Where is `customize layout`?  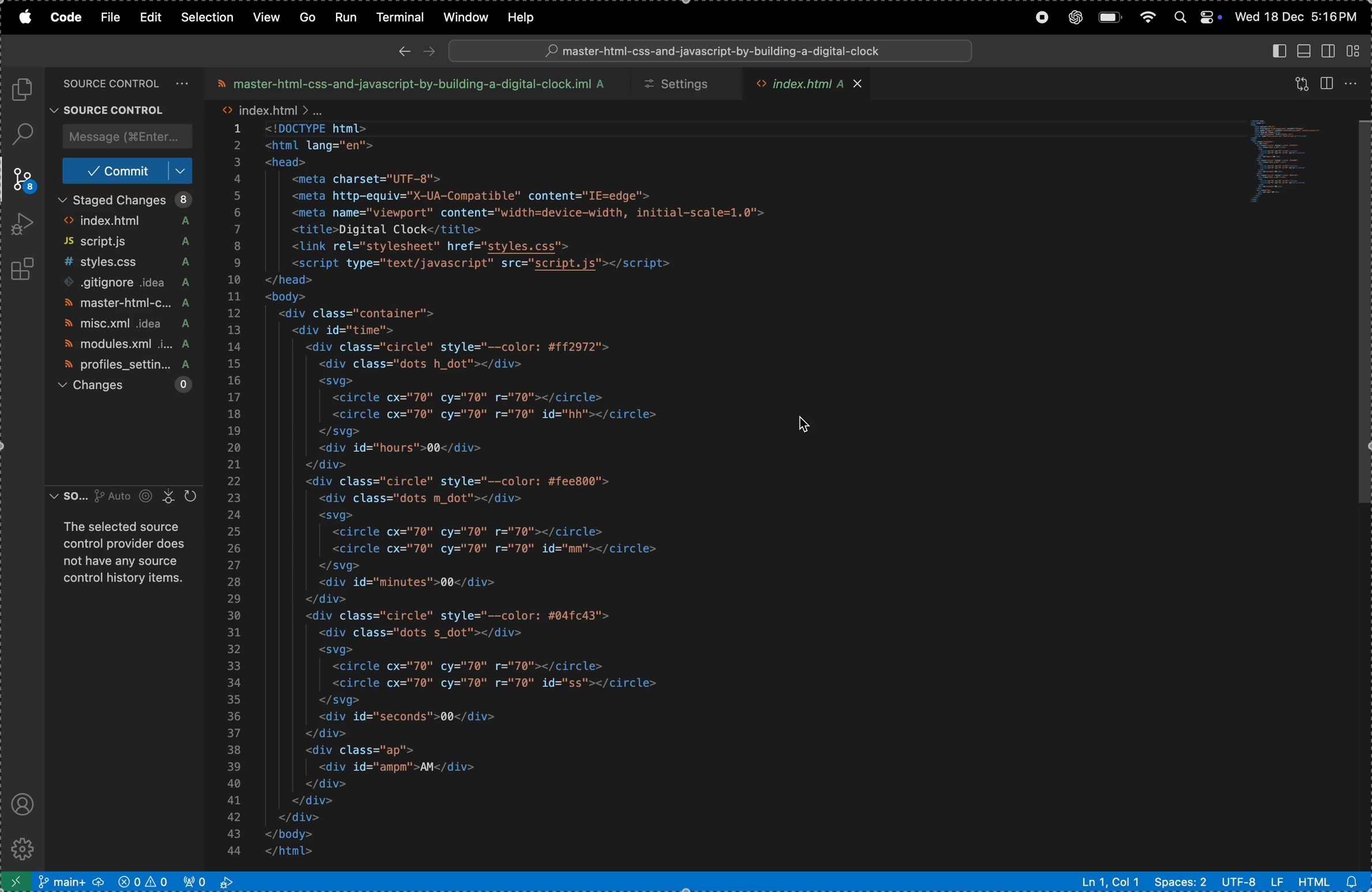 customize layout is located at coordinates (1354, 50).